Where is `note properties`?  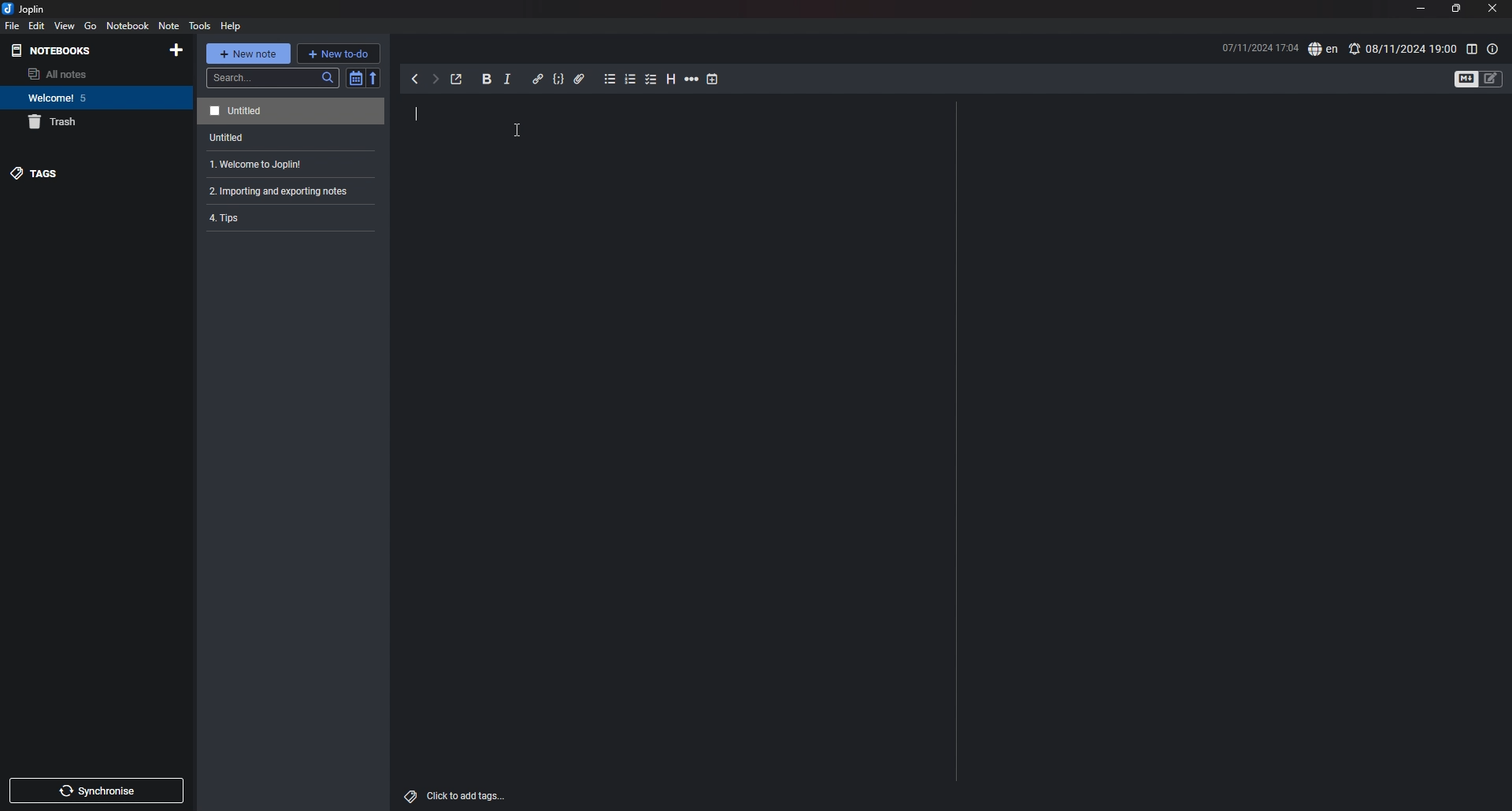 note properties is located at coordinates (1494, 50).